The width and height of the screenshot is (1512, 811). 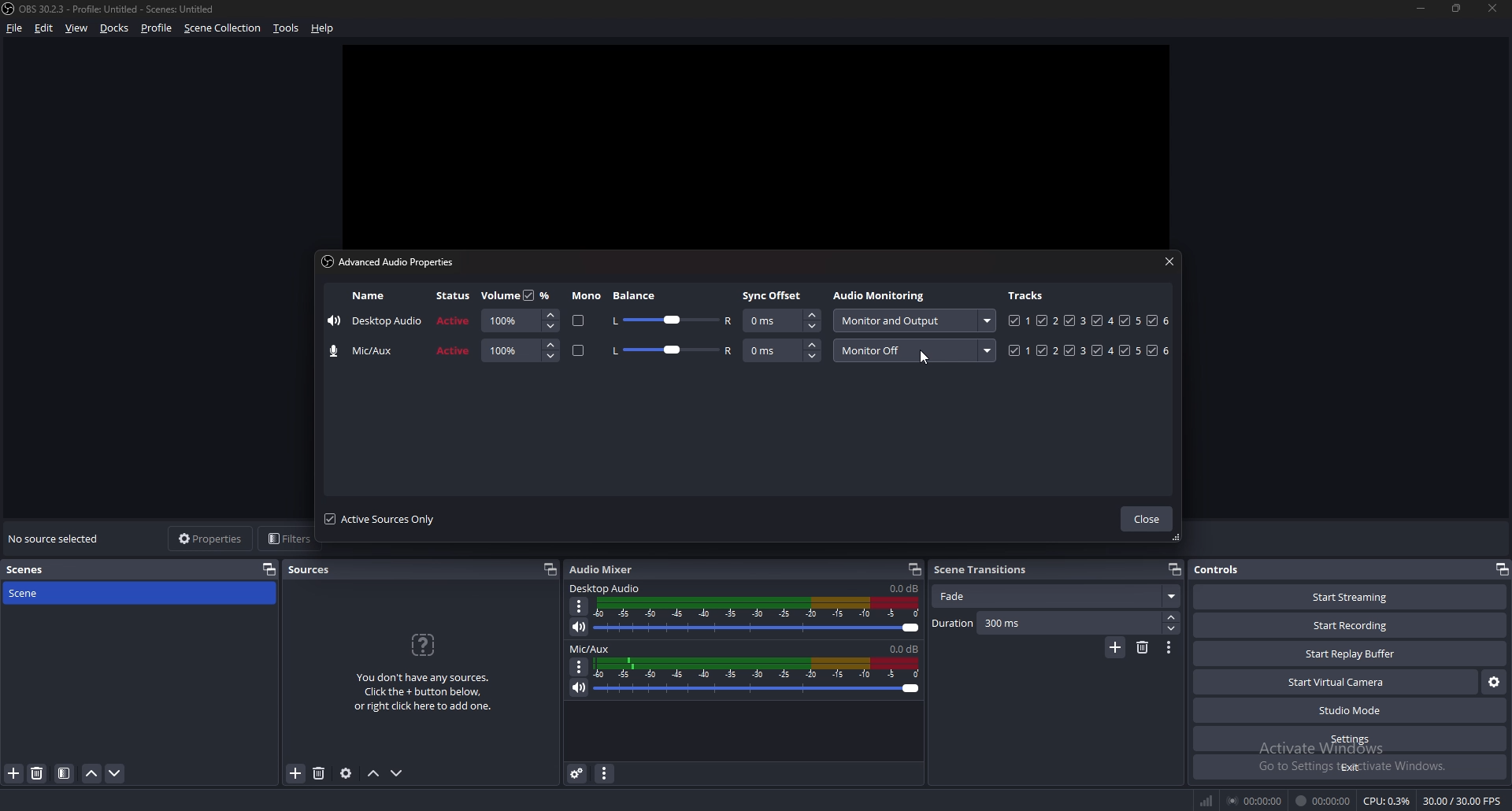 I want to click on volume, so click(x=499, y=296).